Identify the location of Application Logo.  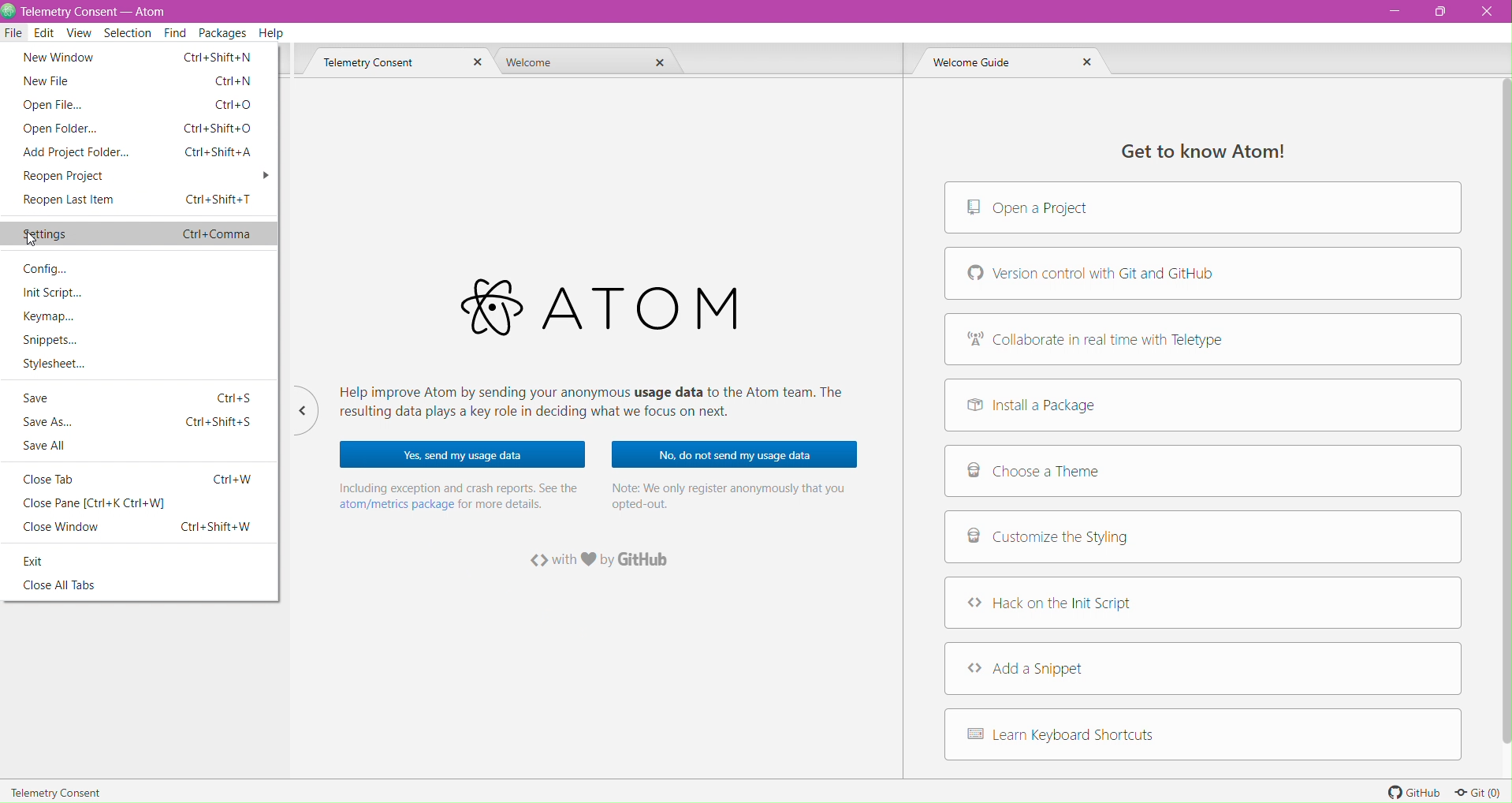
(9, 11).